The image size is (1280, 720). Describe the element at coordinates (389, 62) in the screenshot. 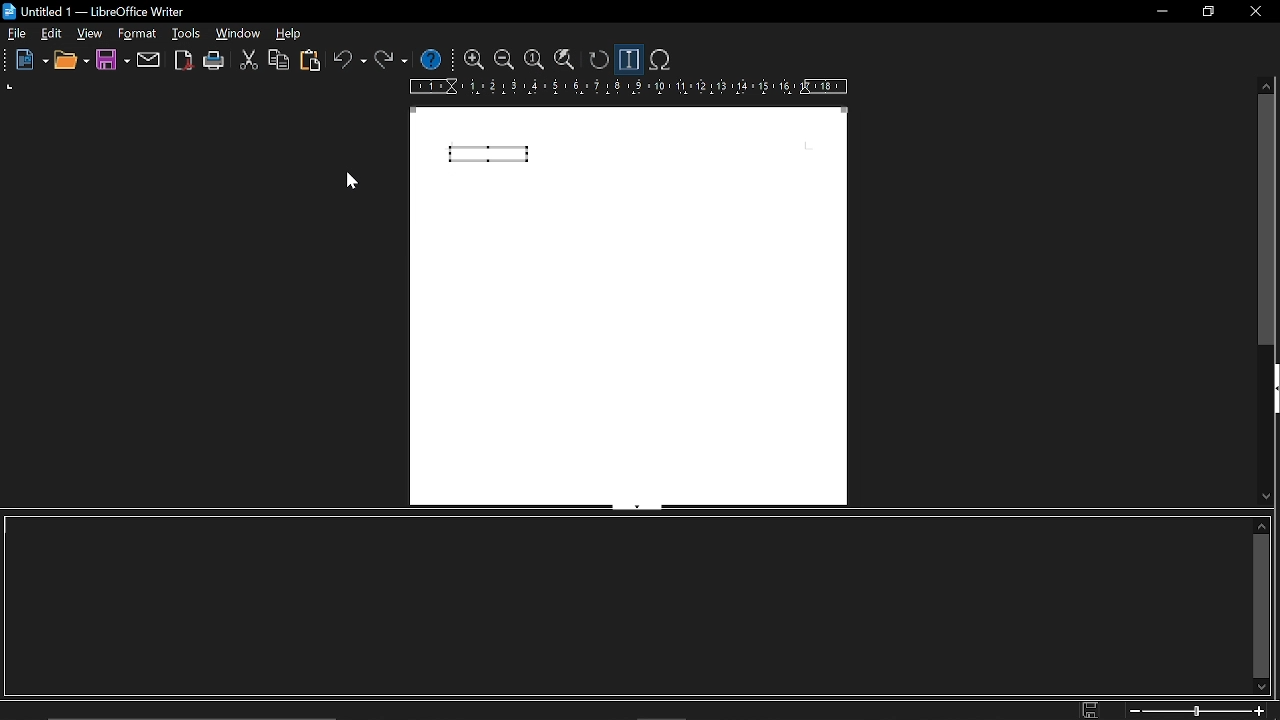

I see `redo` at that location.